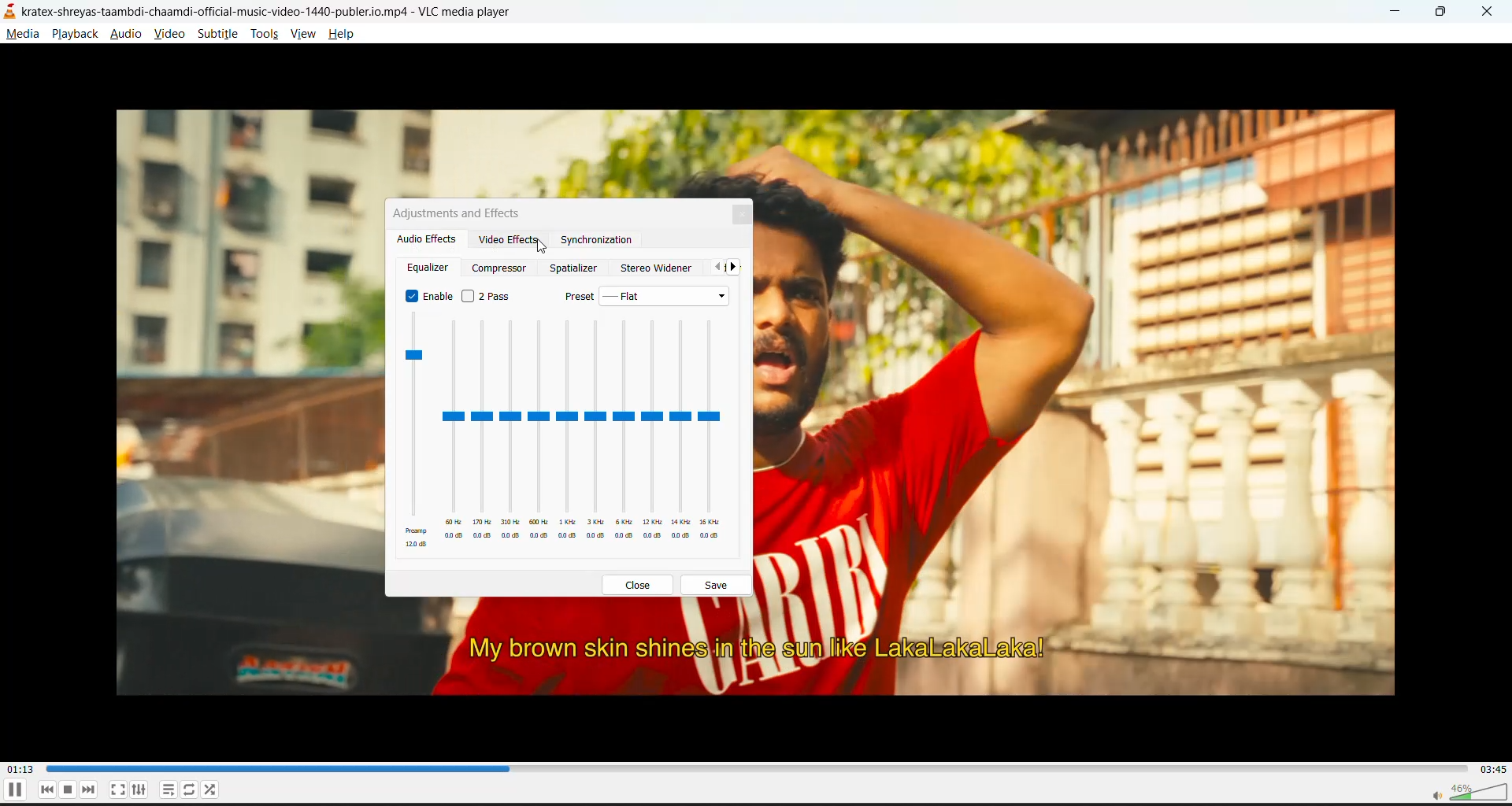 This screenshot has height=806, width=1512. I want to click on close tab, so click(740, 215).